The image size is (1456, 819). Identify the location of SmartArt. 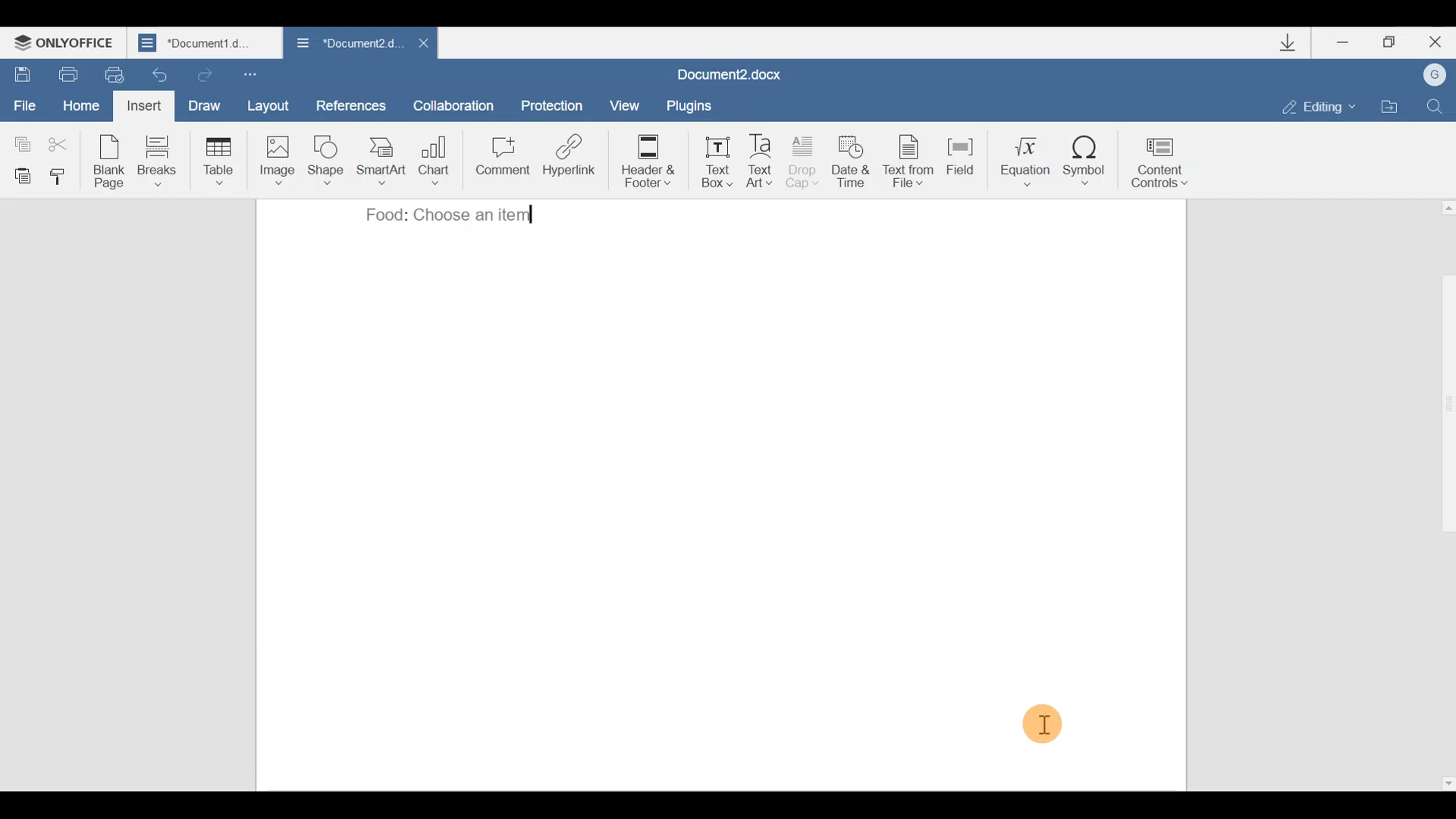
(381, 160).